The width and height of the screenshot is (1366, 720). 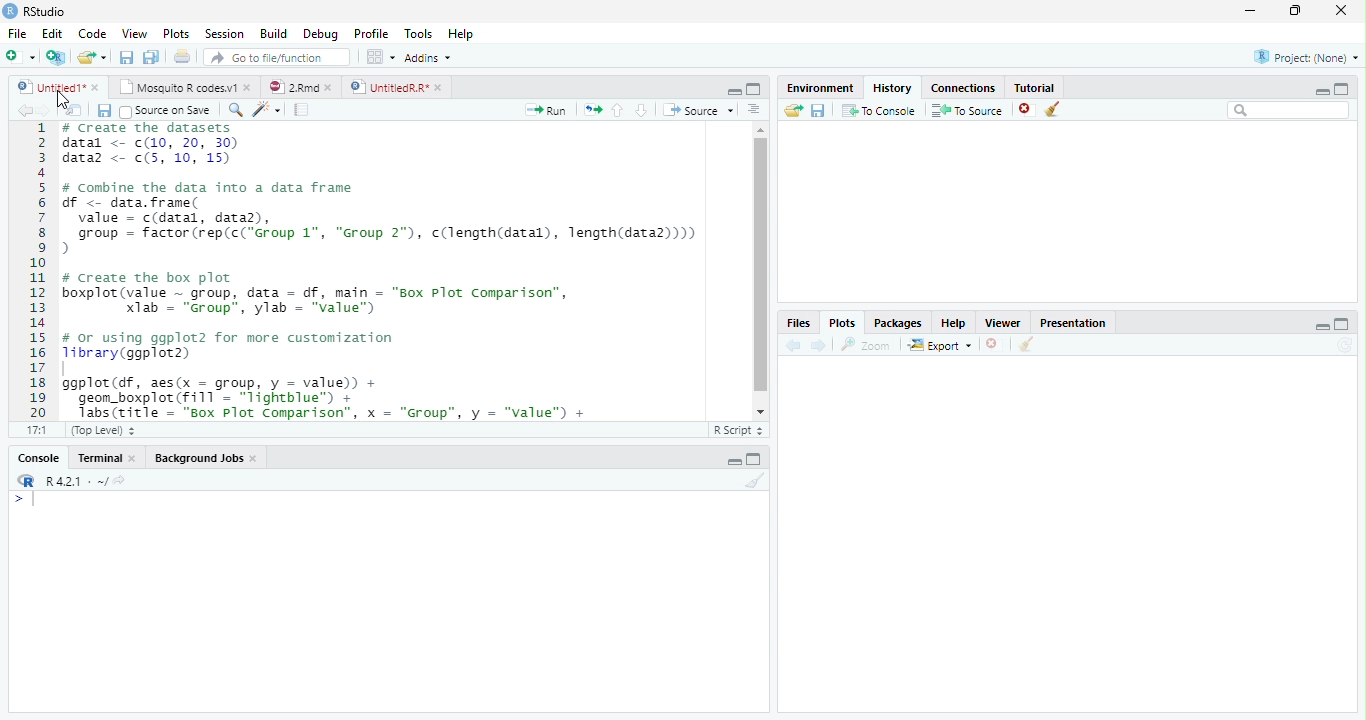 What do you see at coordinates (968, 110) in the screenshot?
I see `To Source` at bounding box center [968, 110].